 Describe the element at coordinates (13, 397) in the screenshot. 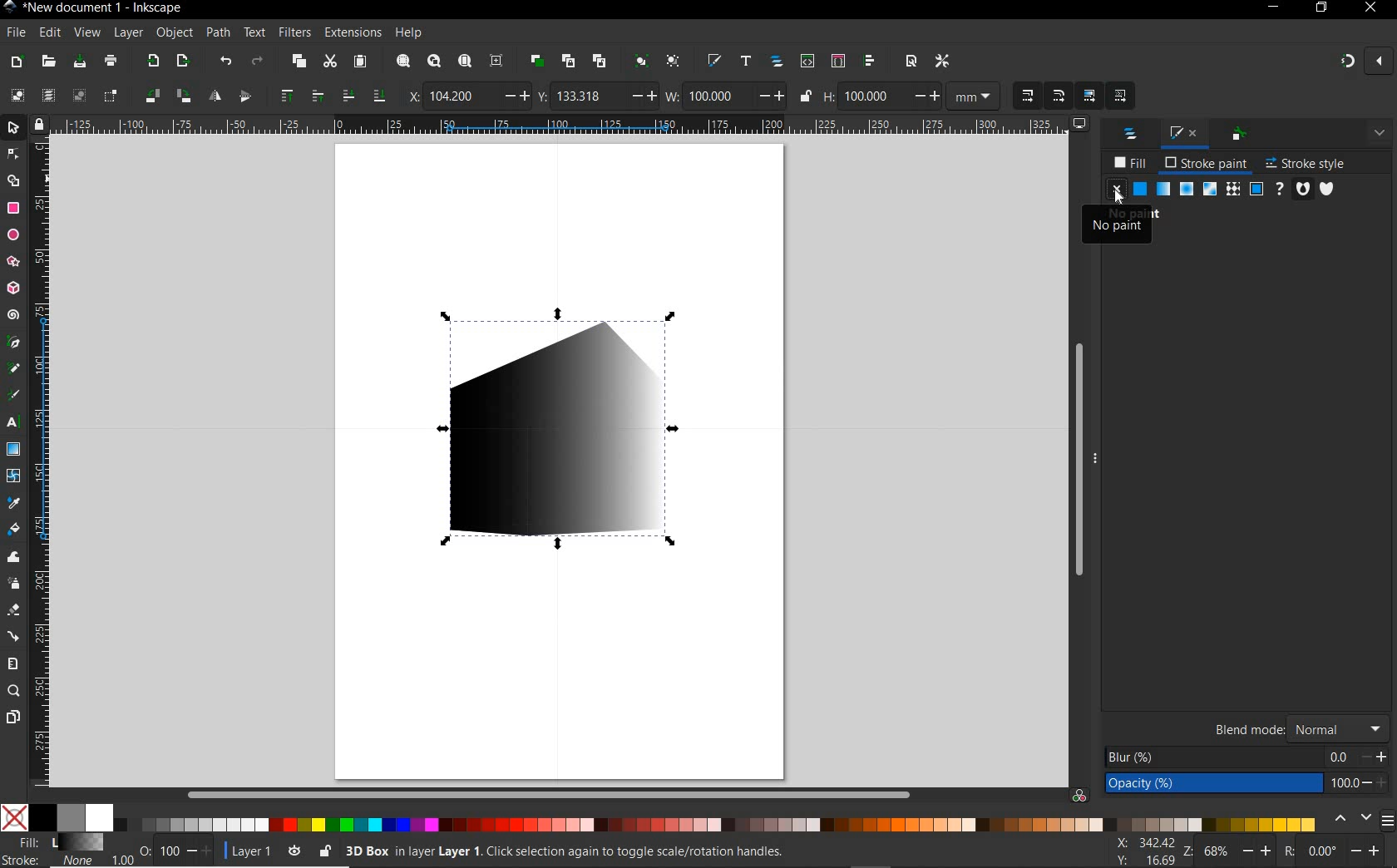

I see `CALLIGRAPHY TOOL` at that location.